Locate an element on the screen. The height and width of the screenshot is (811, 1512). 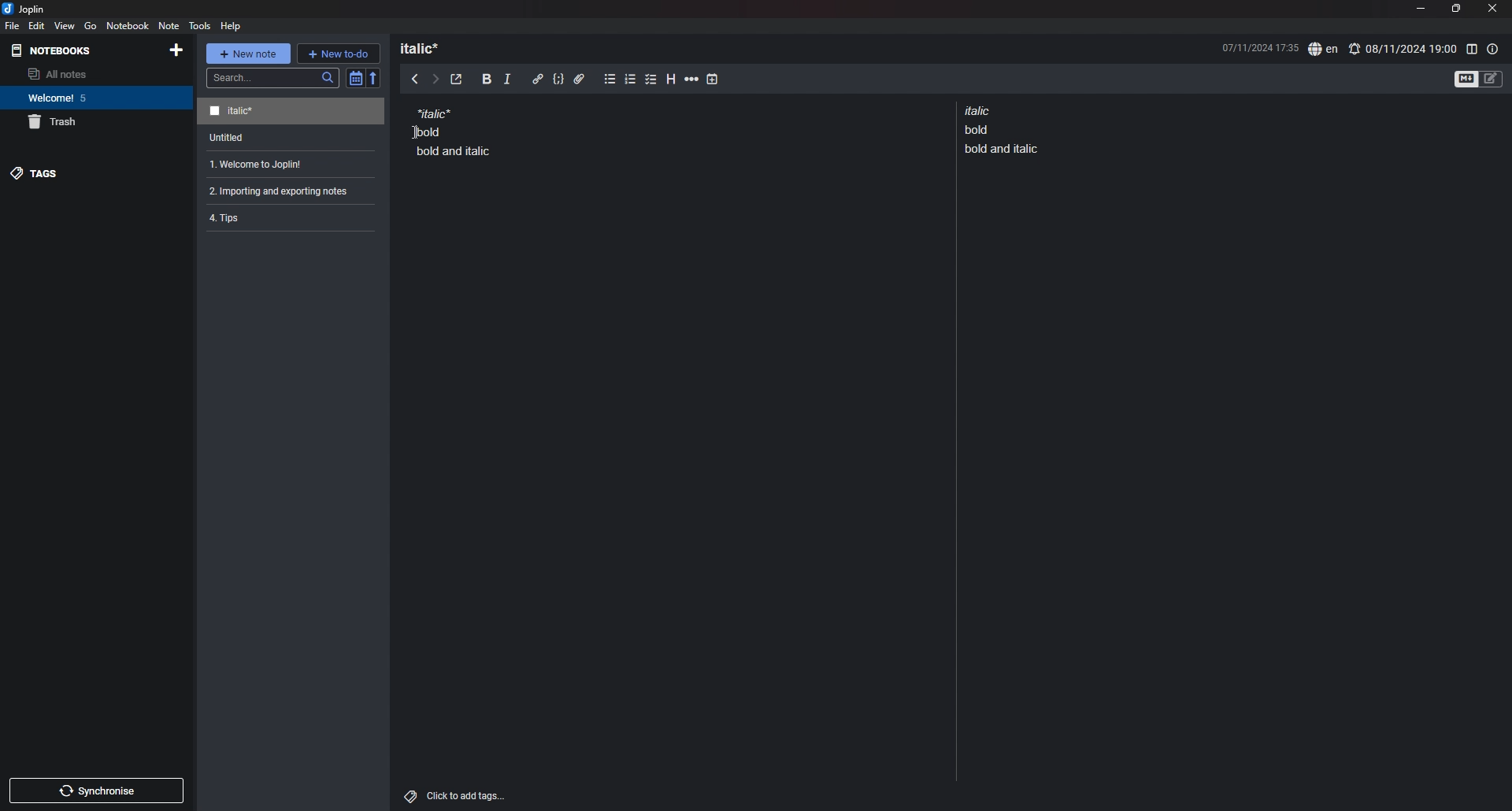
edit is located at coordinates (37, 25).